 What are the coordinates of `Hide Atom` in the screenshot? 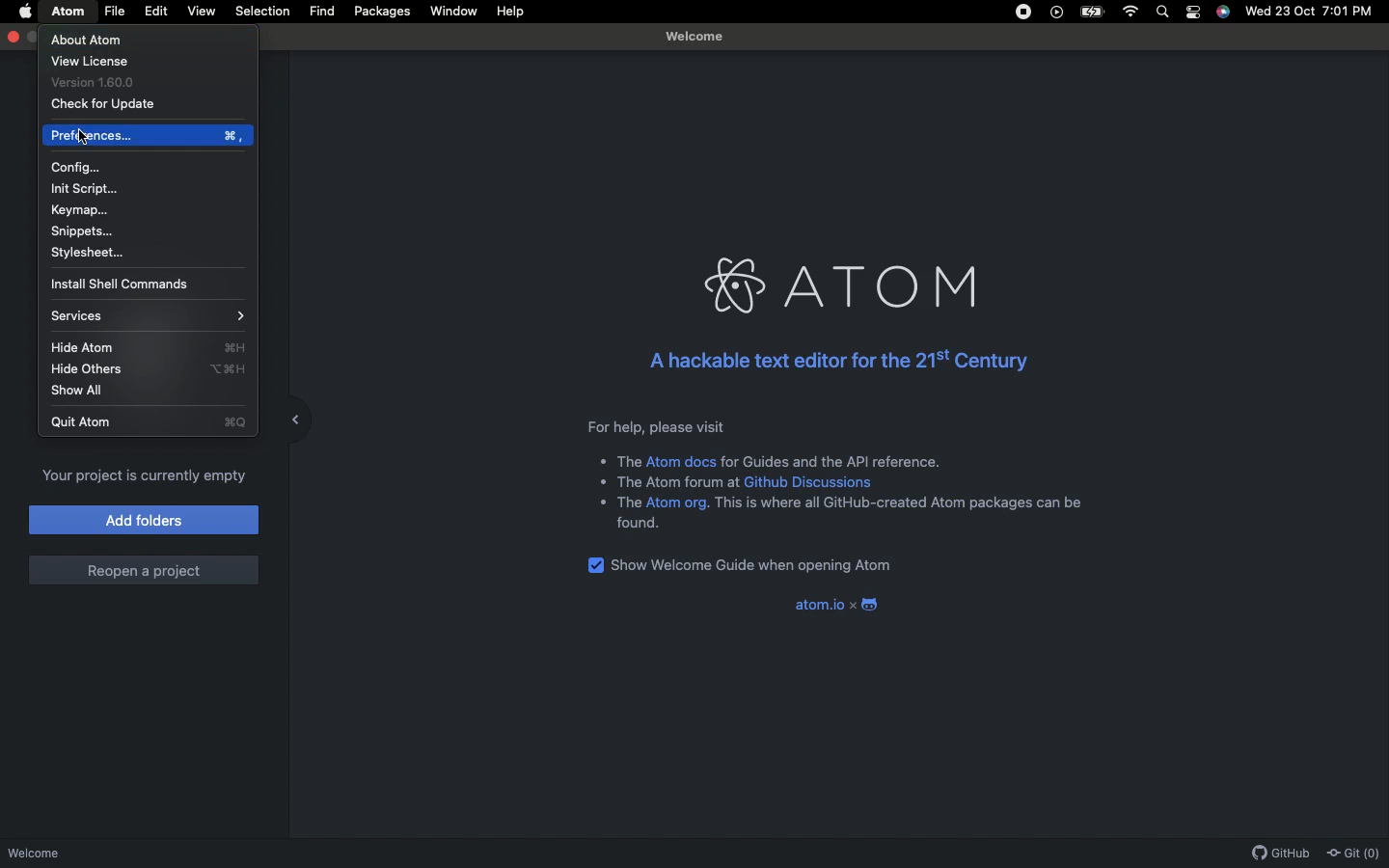 It's located at (149, 346).